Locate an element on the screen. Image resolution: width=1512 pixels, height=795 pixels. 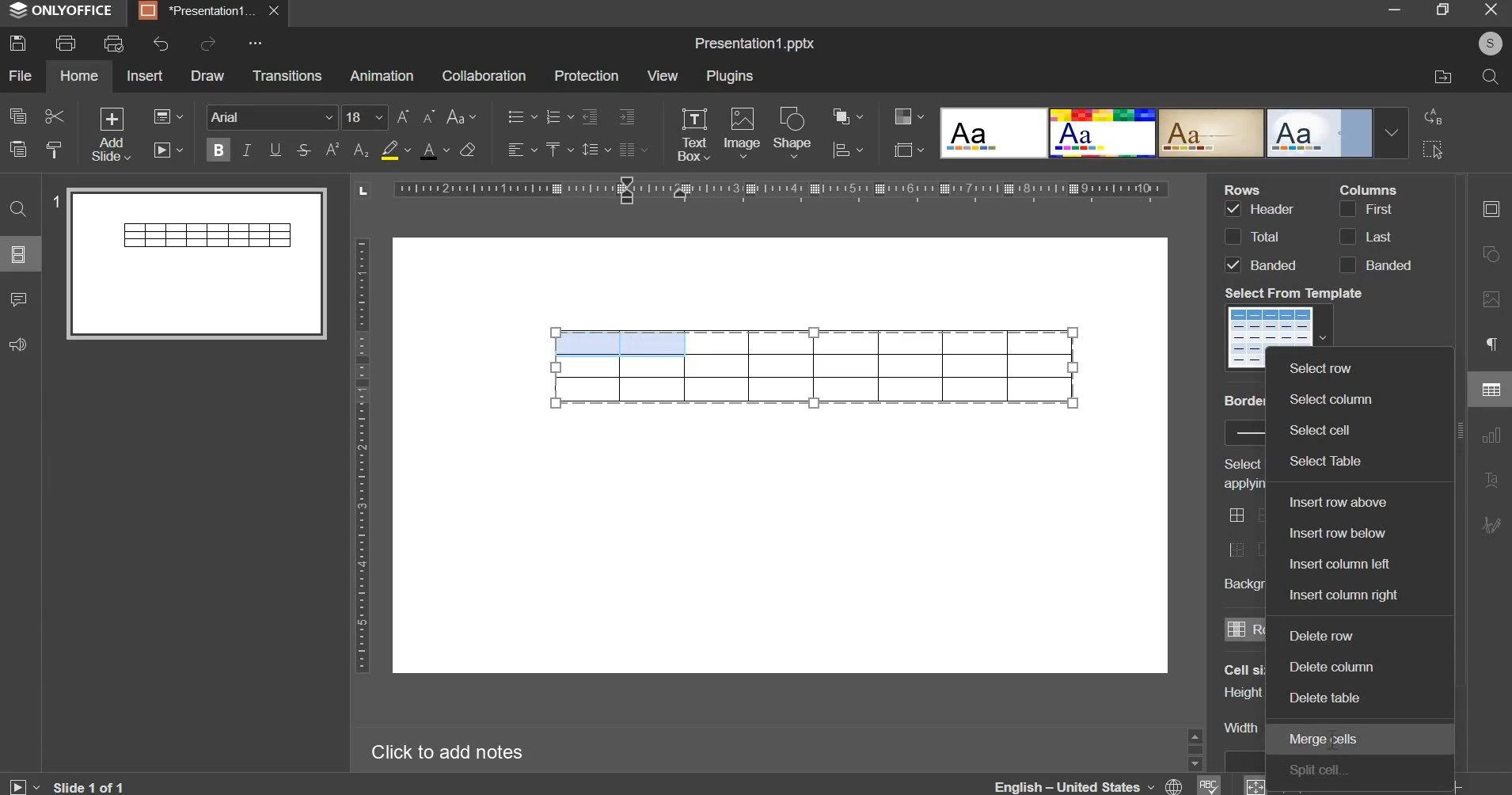
rows is located at coordinates (1259, 236).